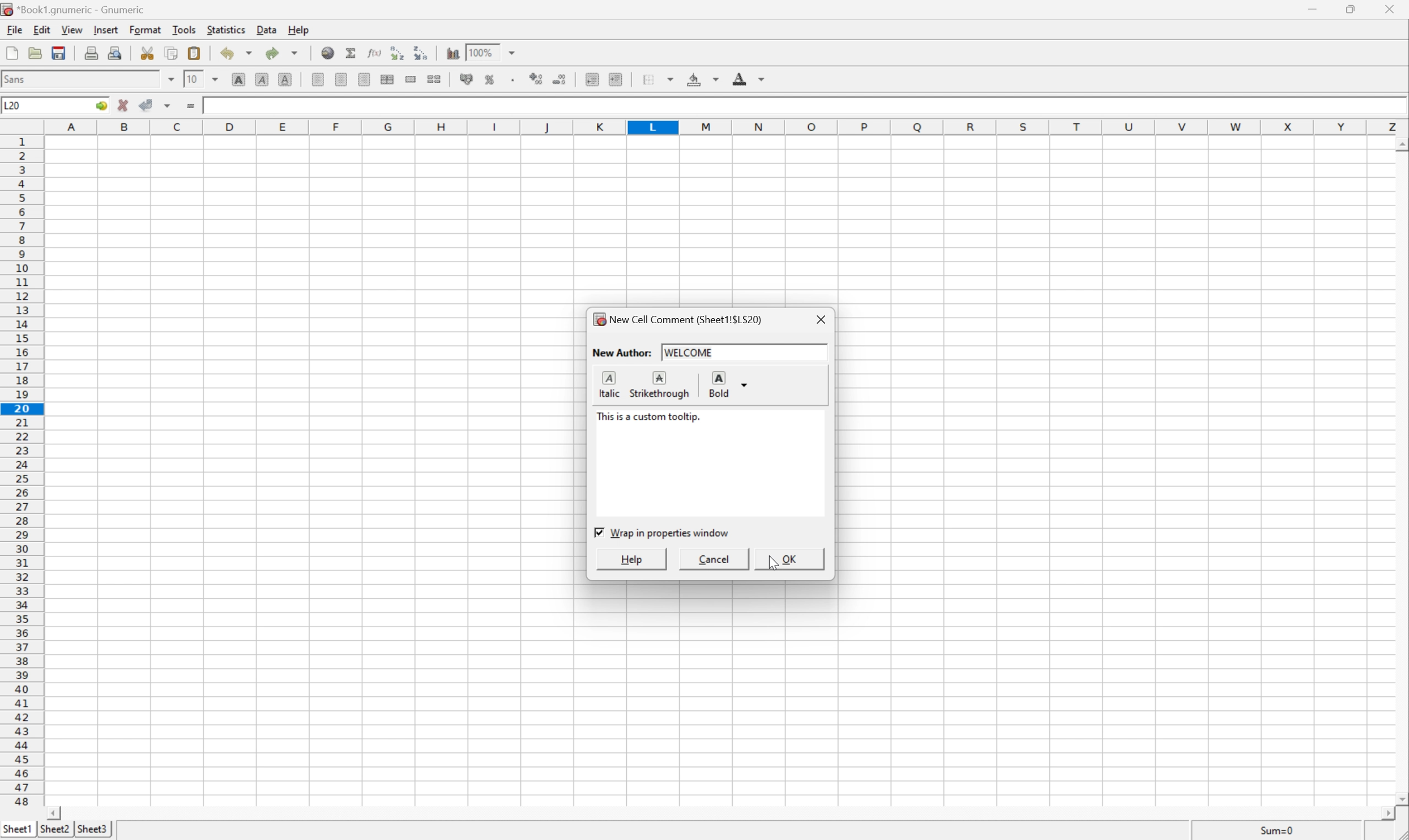  What do you see at coordinates (298, 30) in the screenshot?
I see `Help` at bounding box center [298, 30].